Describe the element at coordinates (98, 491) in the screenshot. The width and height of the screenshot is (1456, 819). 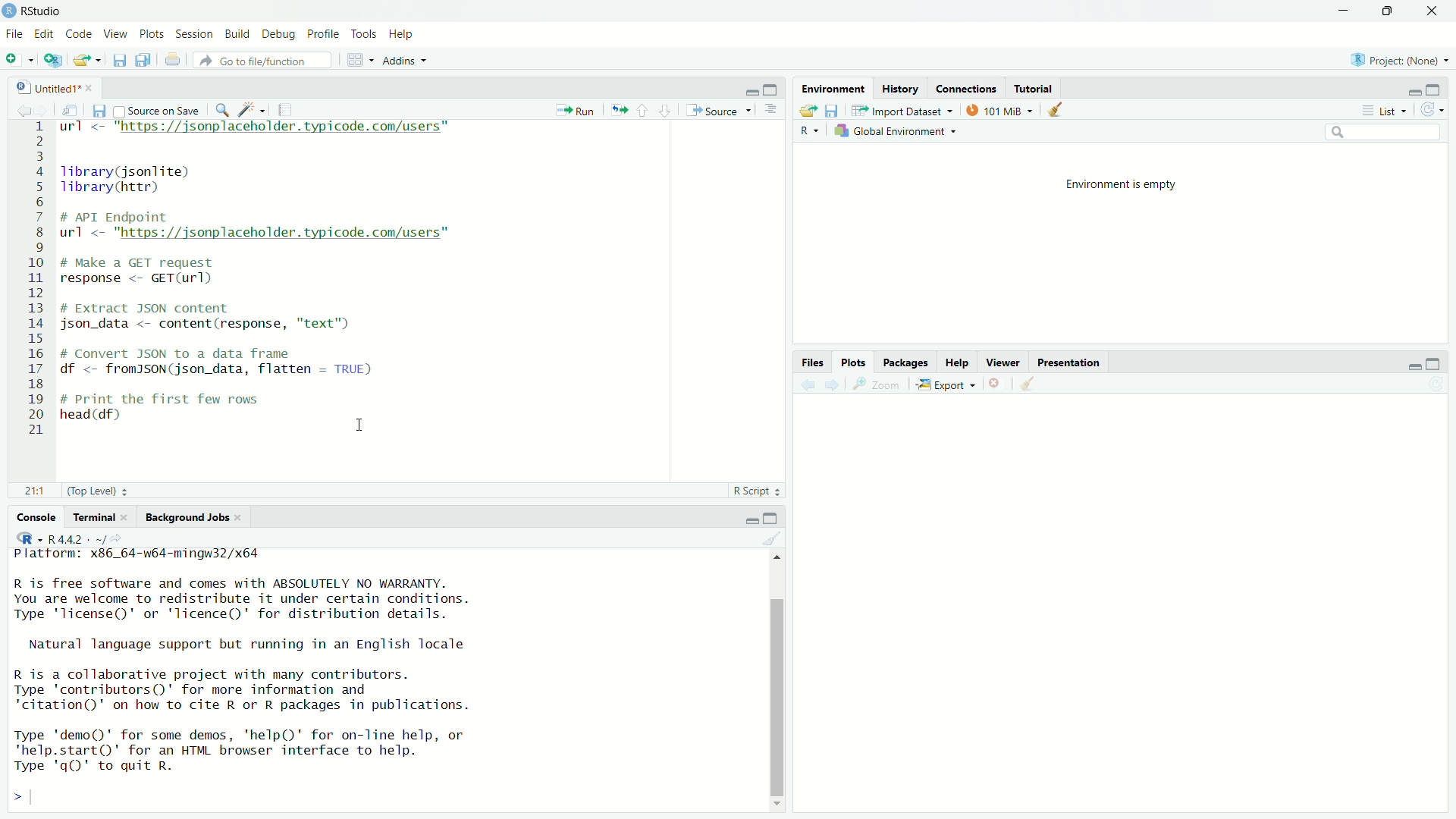
I see `(Top Level) ` at that location.